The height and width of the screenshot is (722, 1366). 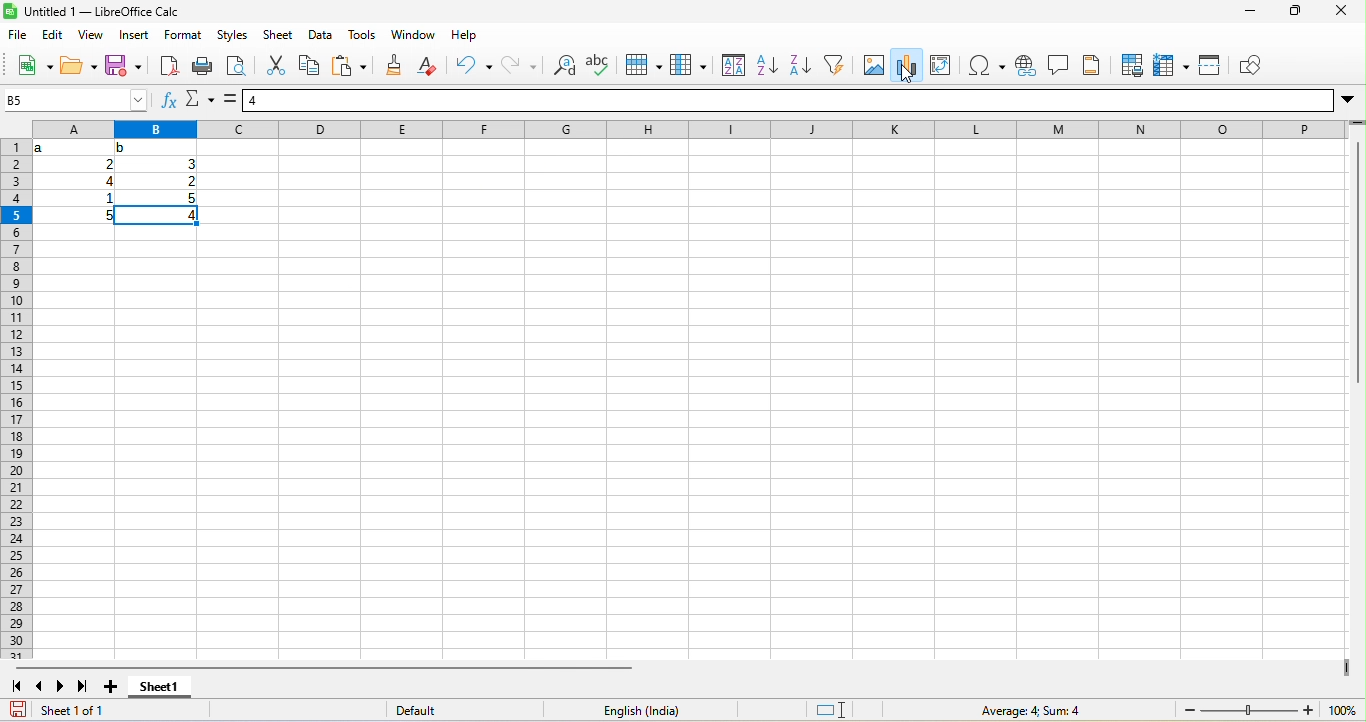 What do you see at coordinates (160, 686) in the screenshot?
I see `sheet1` at bounding box center [160, 686].